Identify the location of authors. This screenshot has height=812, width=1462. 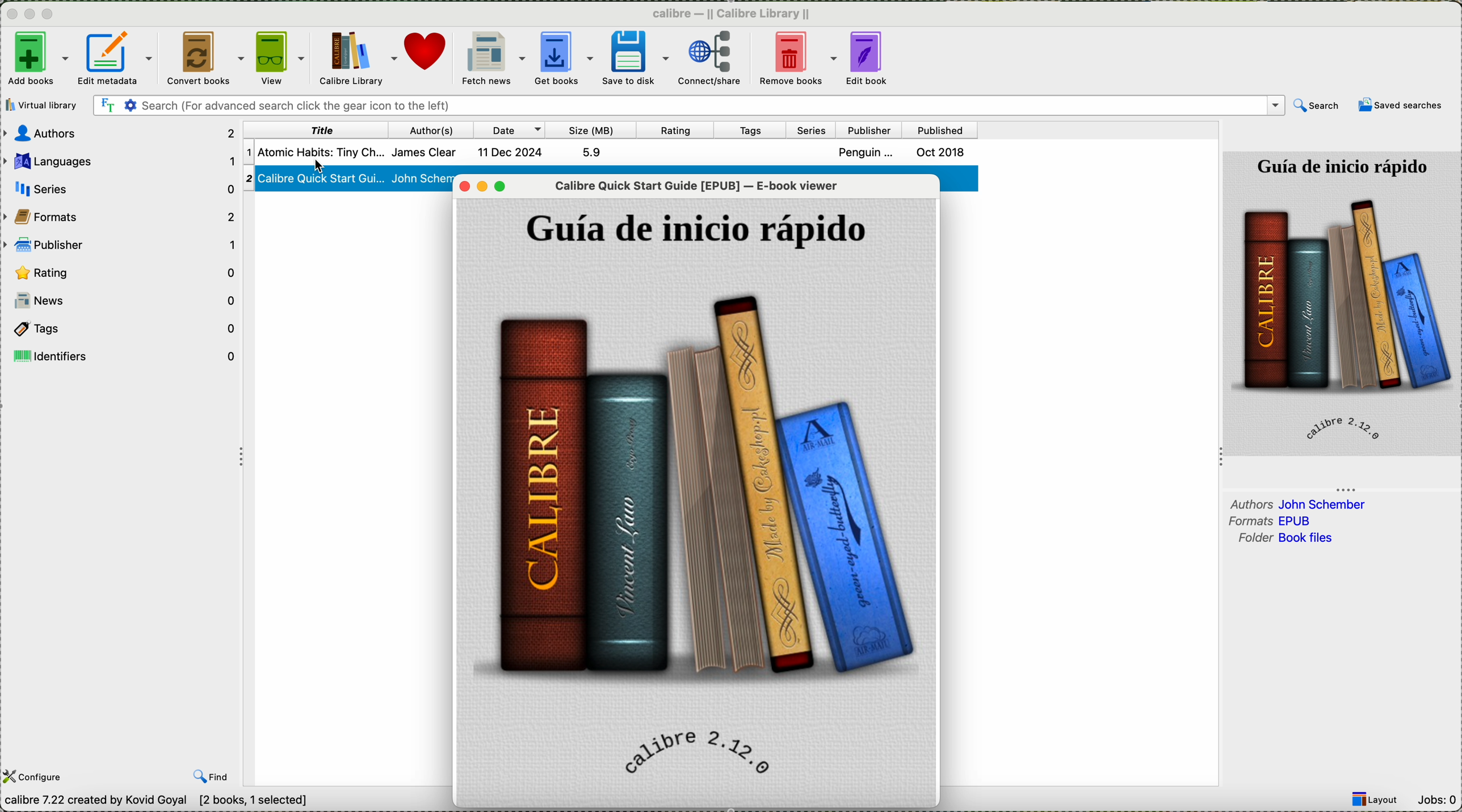
(119, 133).